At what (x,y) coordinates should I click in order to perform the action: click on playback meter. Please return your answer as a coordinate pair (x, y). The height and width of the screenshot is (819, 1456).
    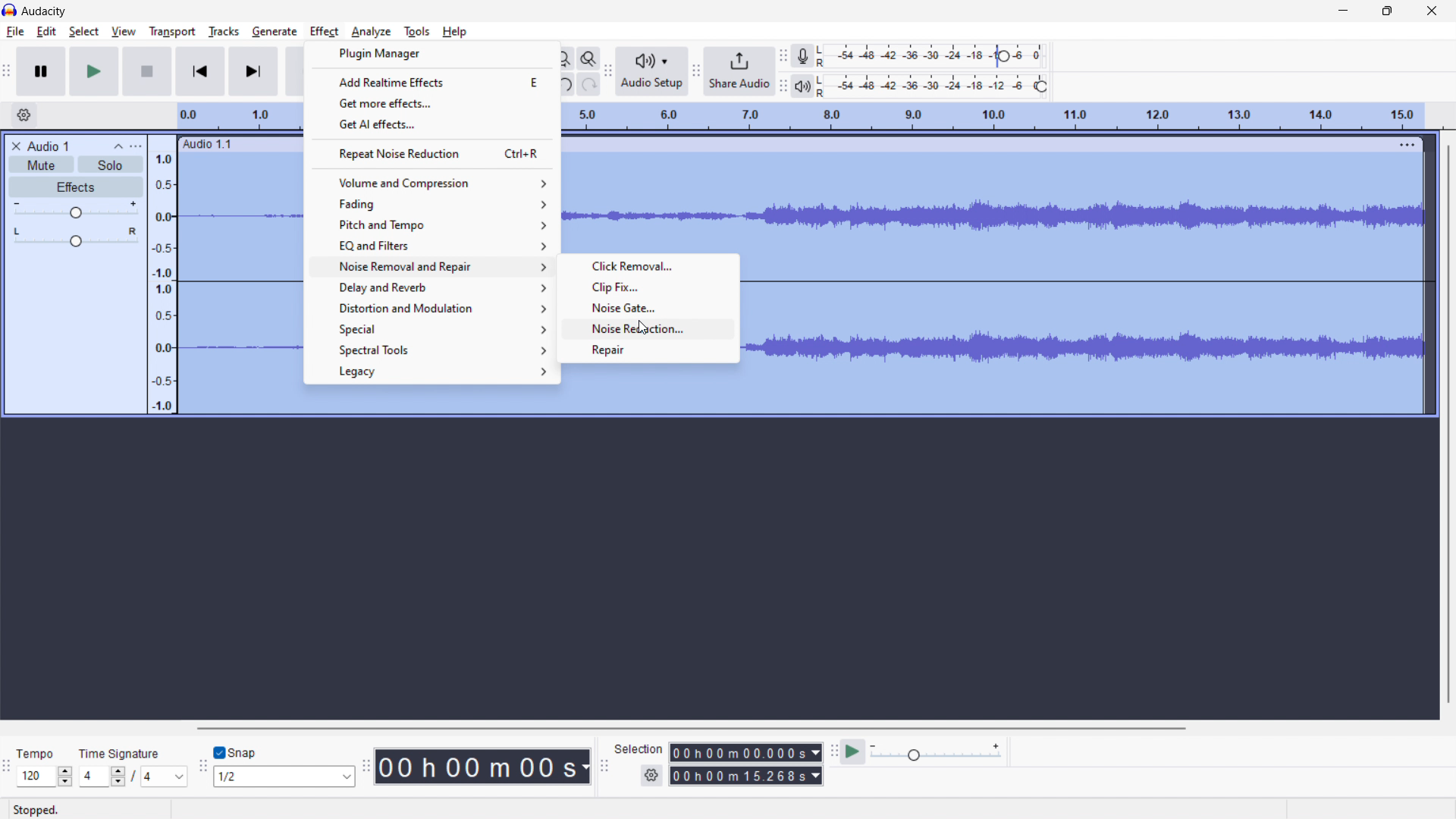
    Looking at the image, I should click on (940, 86).